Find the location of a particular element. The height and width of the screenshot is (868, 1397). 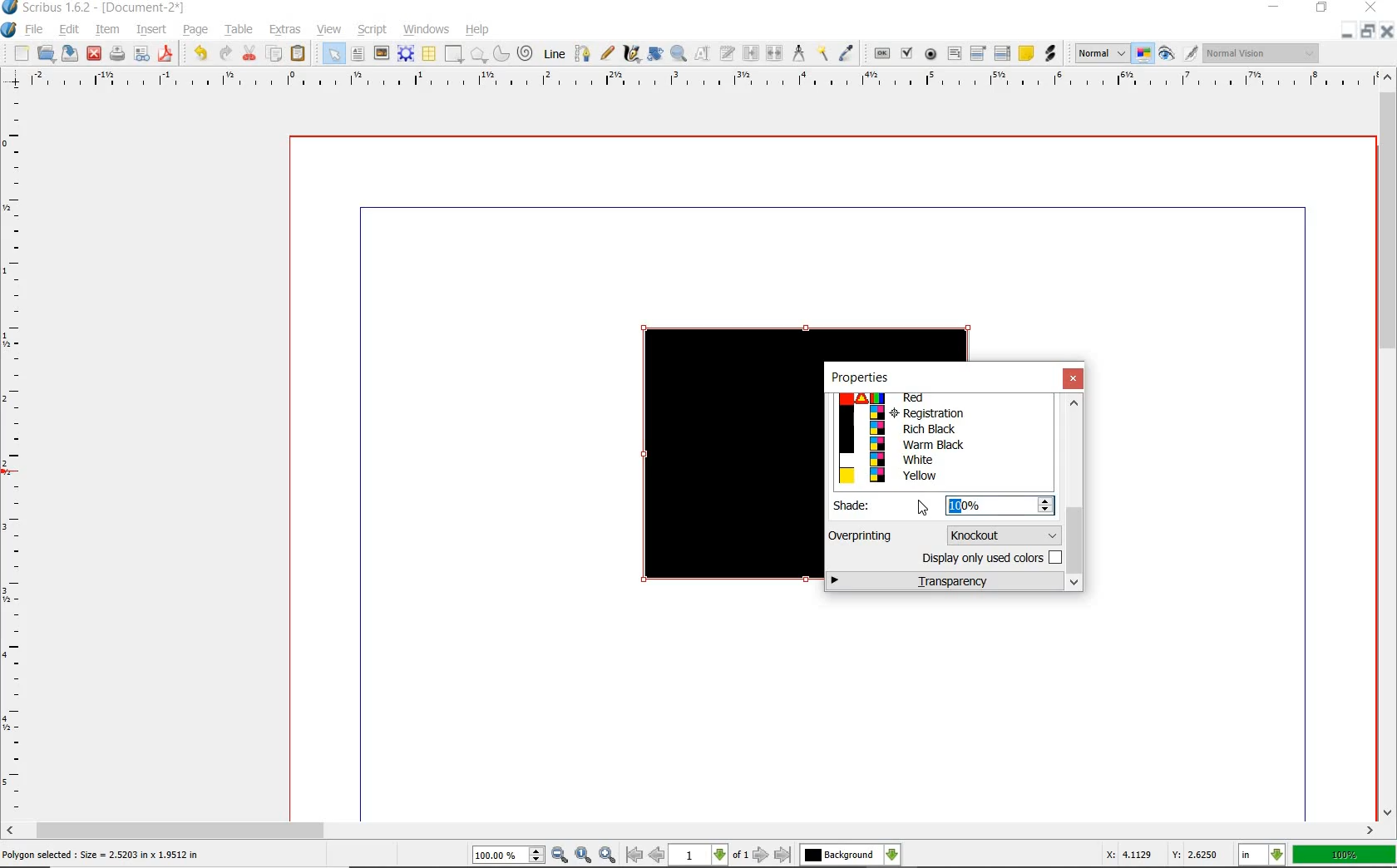

select item is located at coordinates (329, 54).